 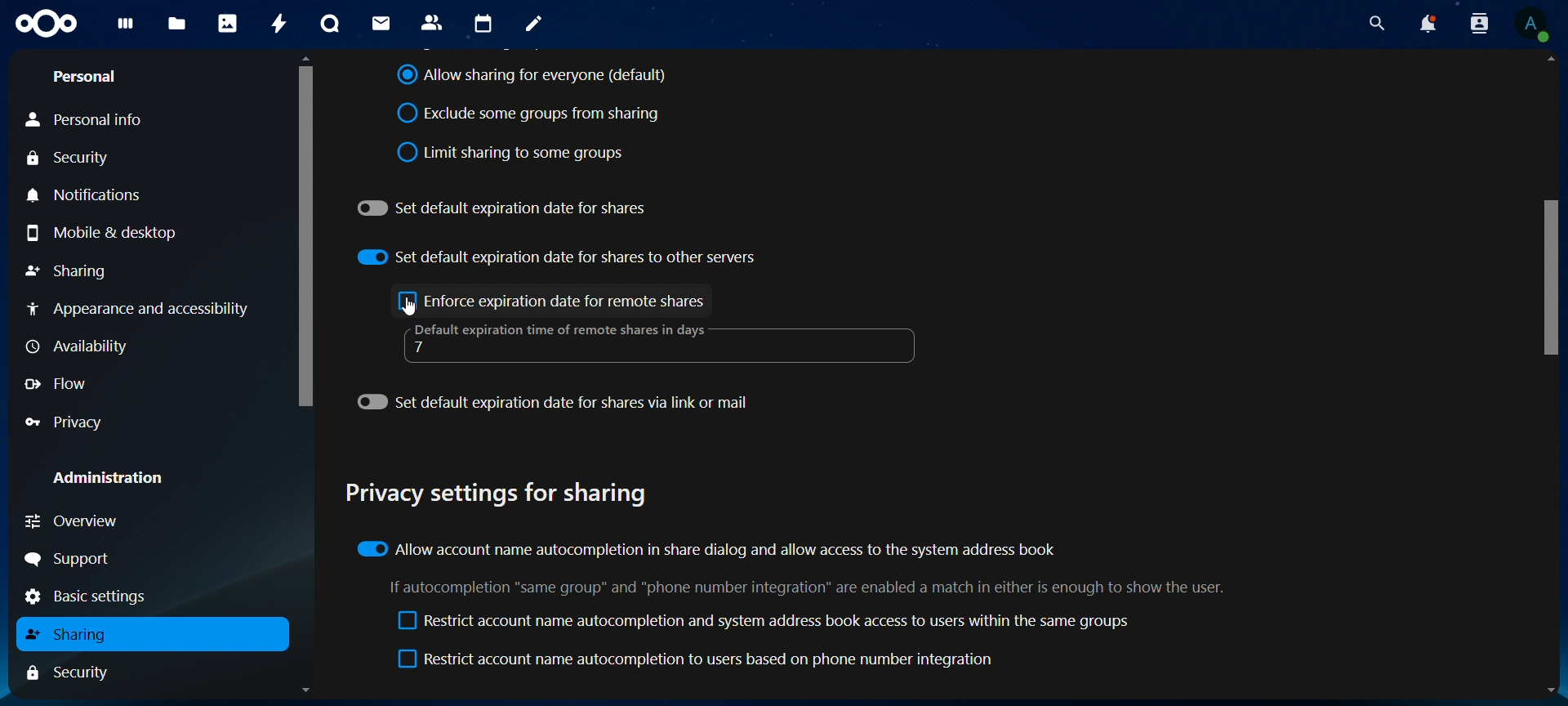 What do you see at coordinates (123, 29) in the screenshot?
I see `dashboard` at bounding box center [123, 29].